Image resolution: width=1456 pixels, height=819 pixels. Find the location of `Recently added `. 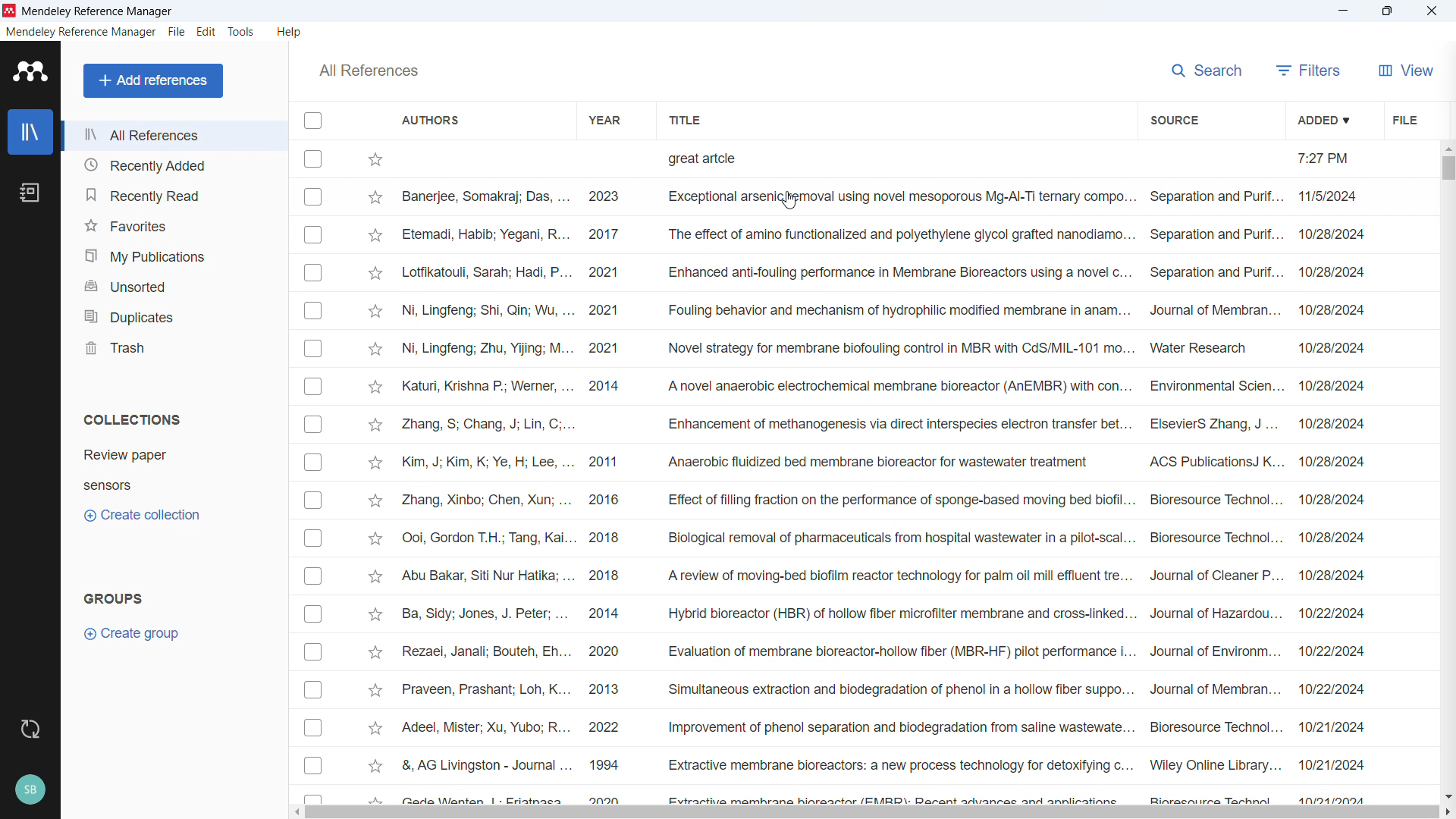

Recently added  is located at coordinates (171, 164).